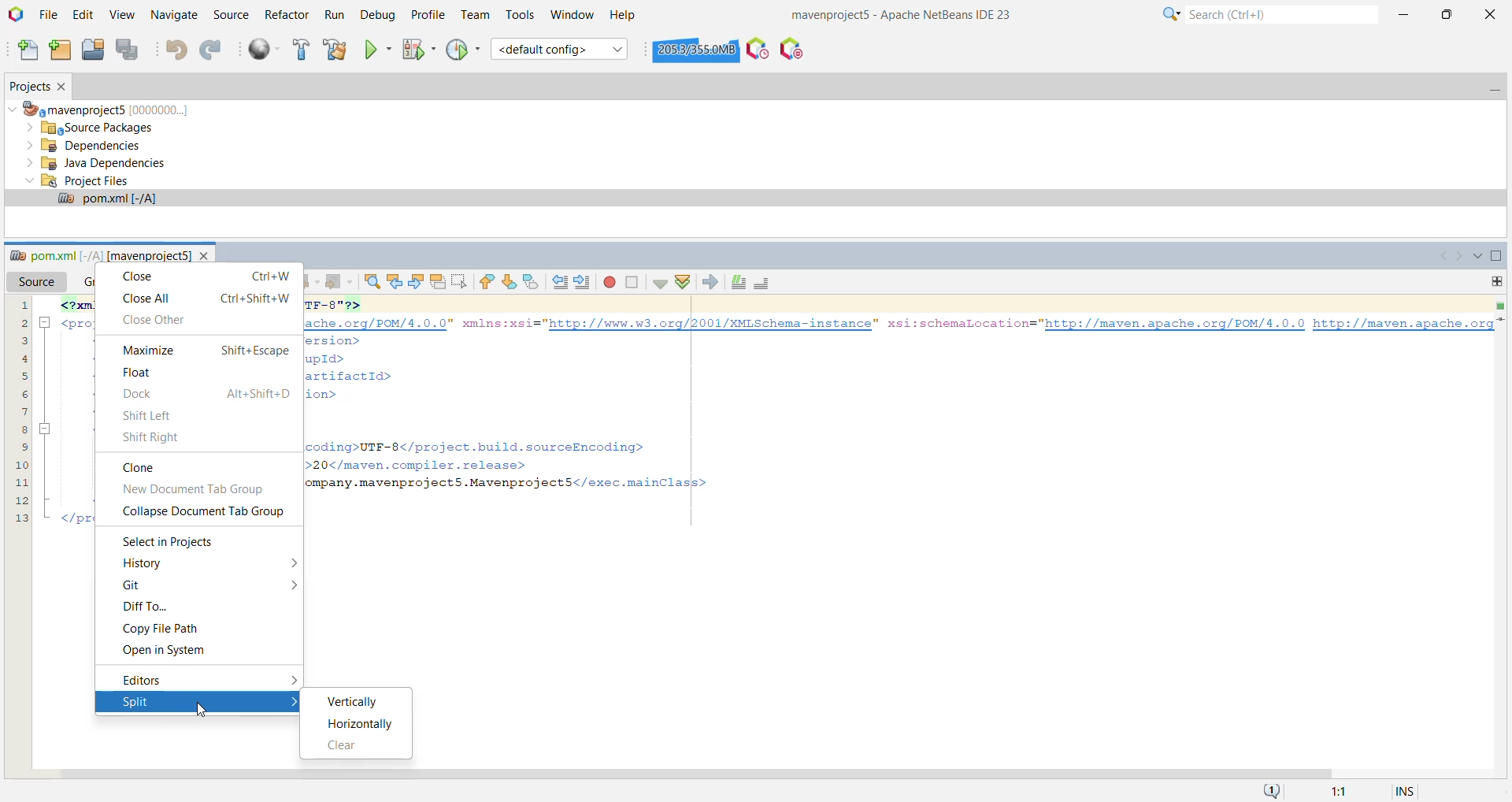  Describe the element at coordinates (20, 392) in the screenshot. I see `6` at that location.